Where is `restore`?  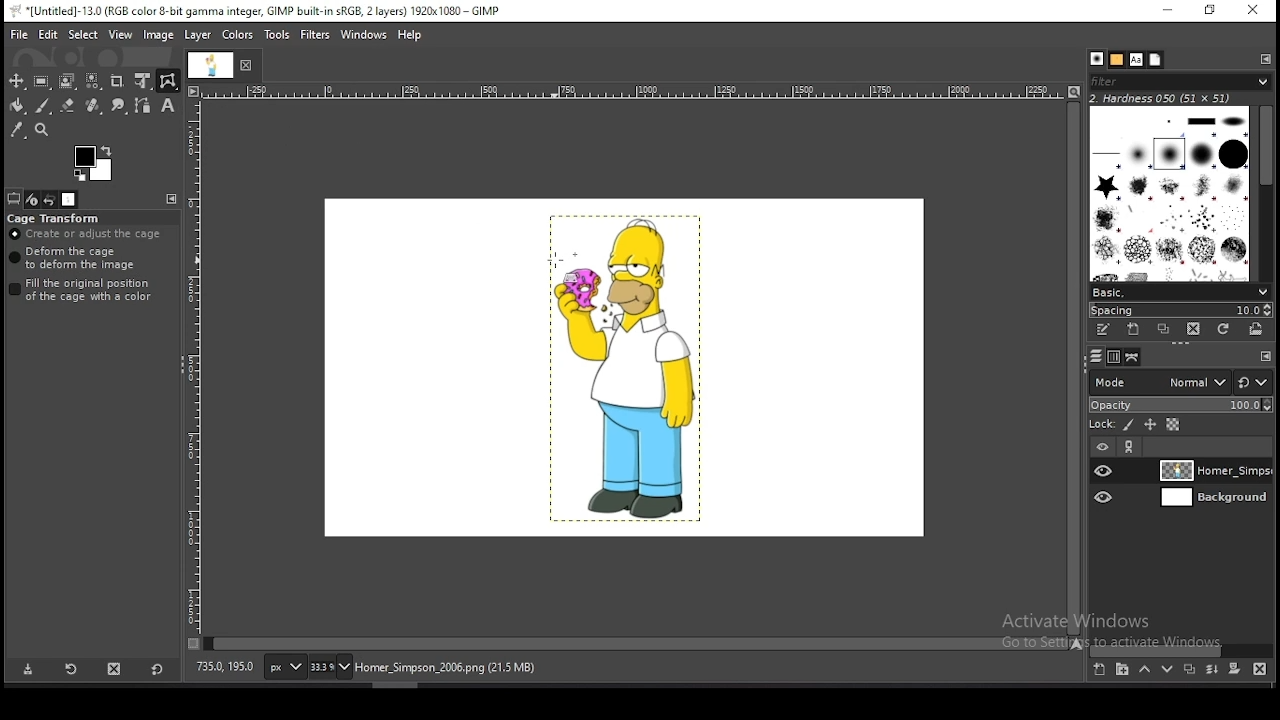
restore is located at coordinates (1207, 11).